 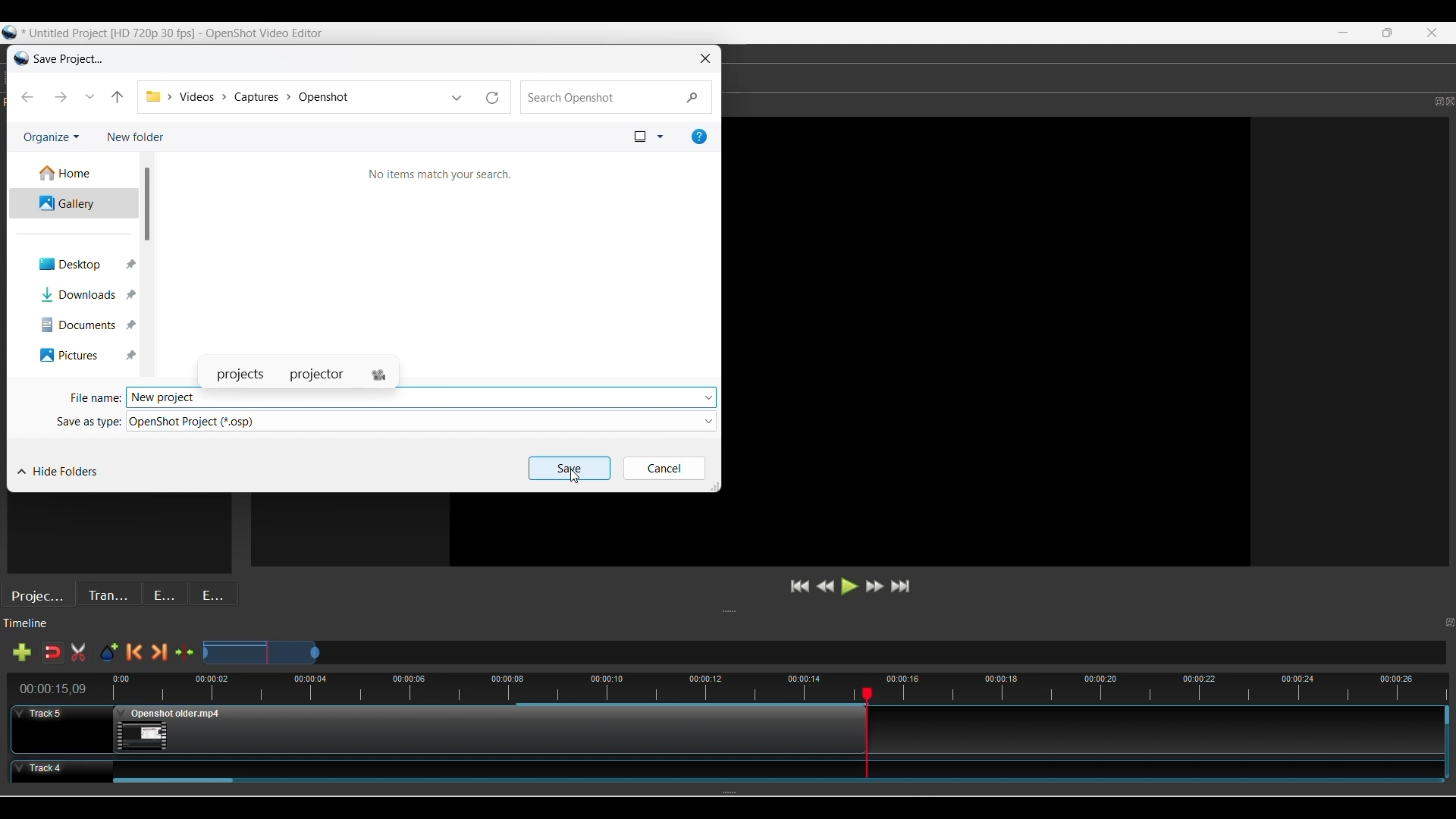 I want to click on File name suggestions , so click(x=298, y=375).